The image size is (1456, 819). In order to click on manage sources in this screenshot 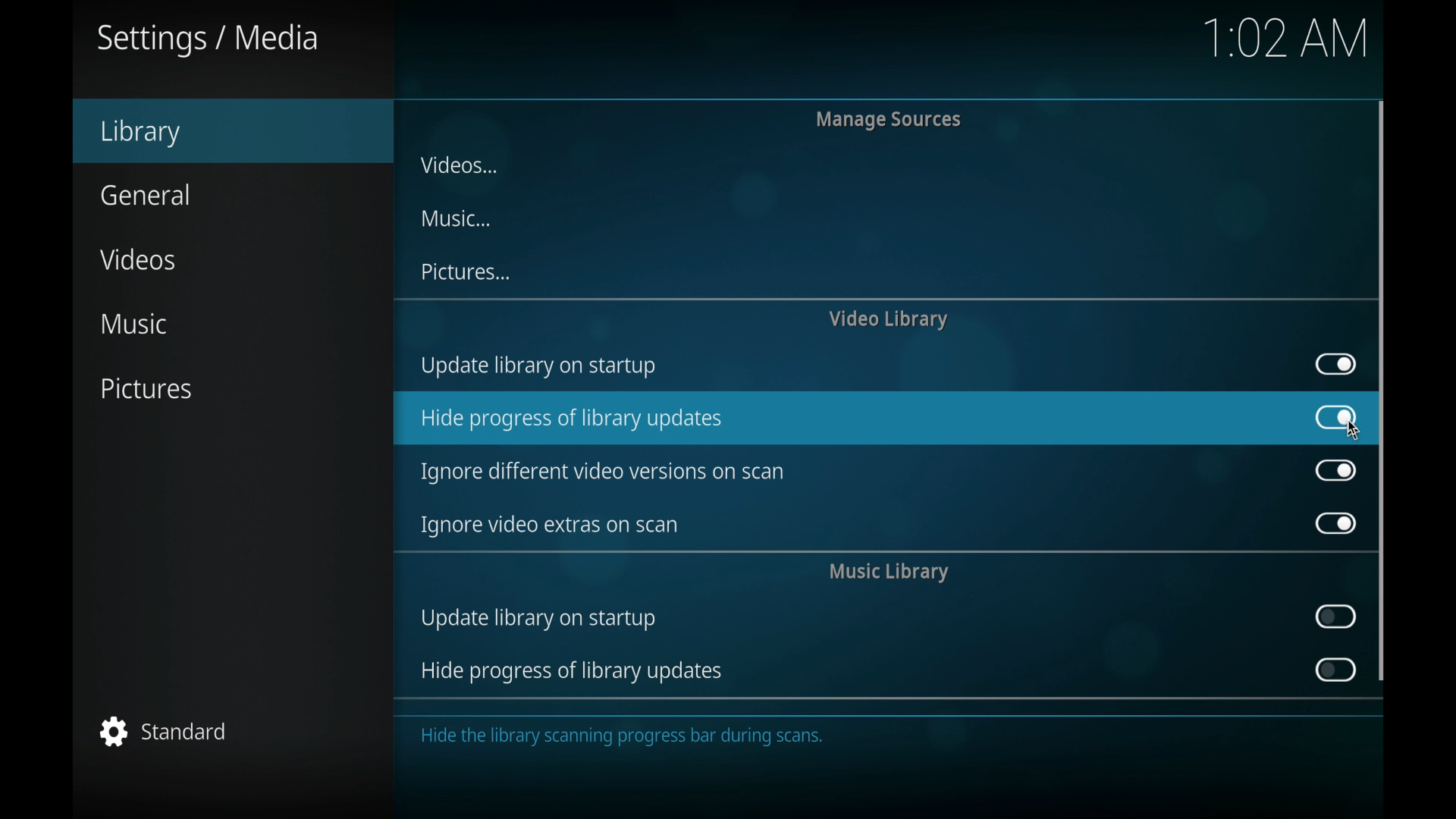, I will do `click(888, 120)`.